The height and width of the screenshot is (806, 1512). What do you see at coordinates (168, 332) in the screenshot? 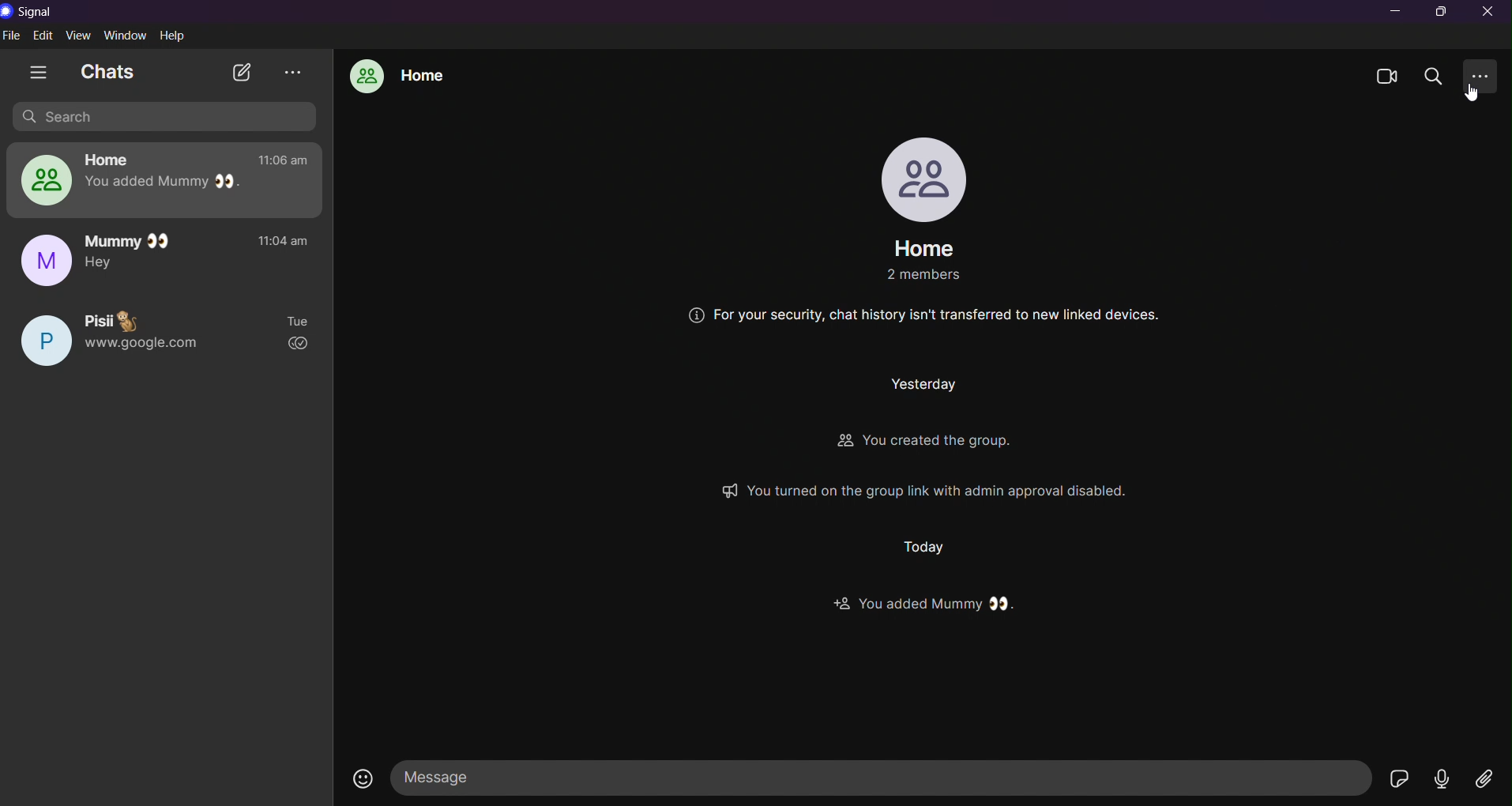
I see `pisi chat` at bounding box center [168, 332].